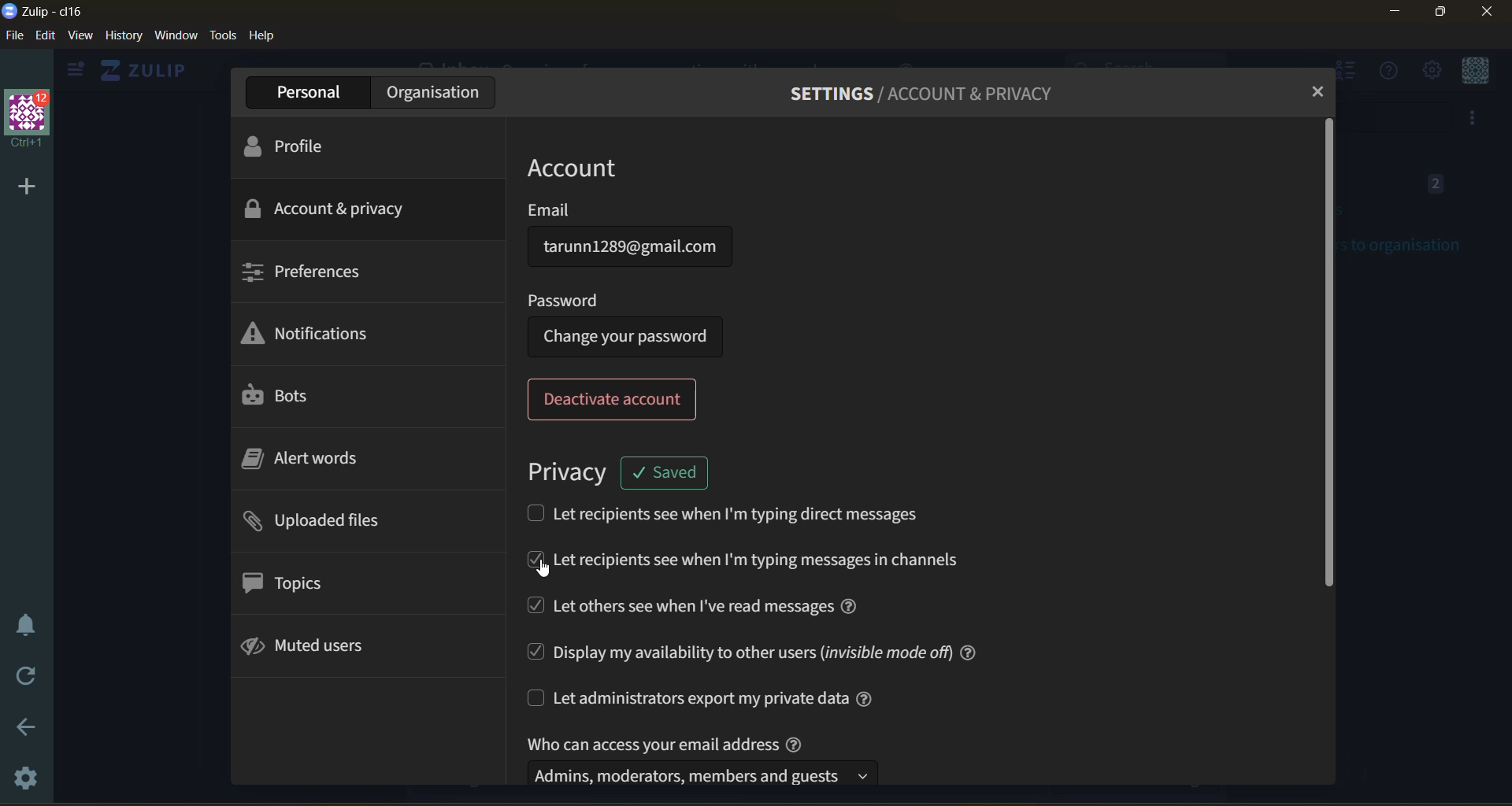 This screenshot has height=806, width=1512. What do you see at coordinates (596, 166) in the screenshot?
I see `account` at bounding box center [596, 166].